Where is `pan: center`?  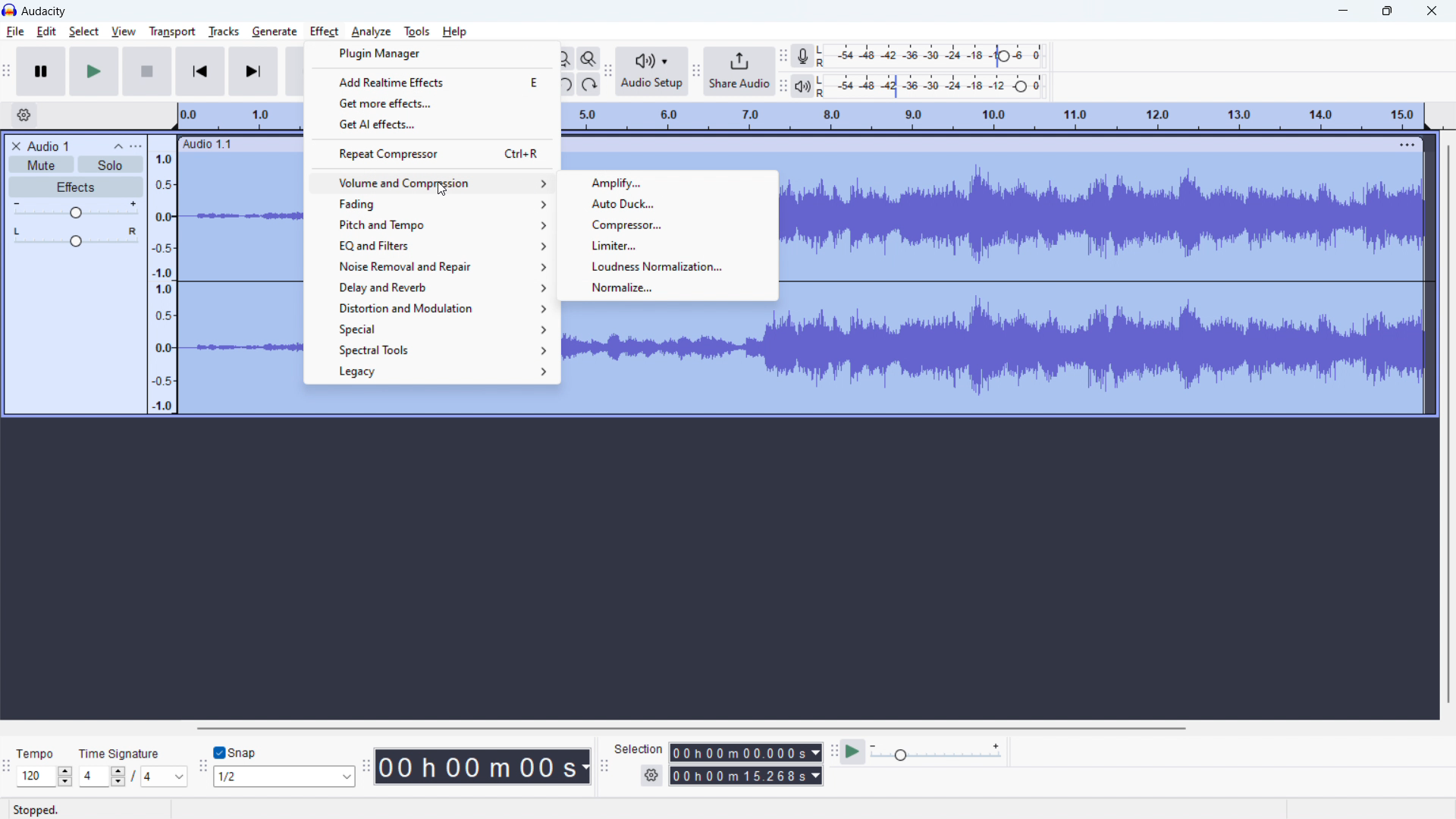 pan: center is located at coordinates (75, 237).